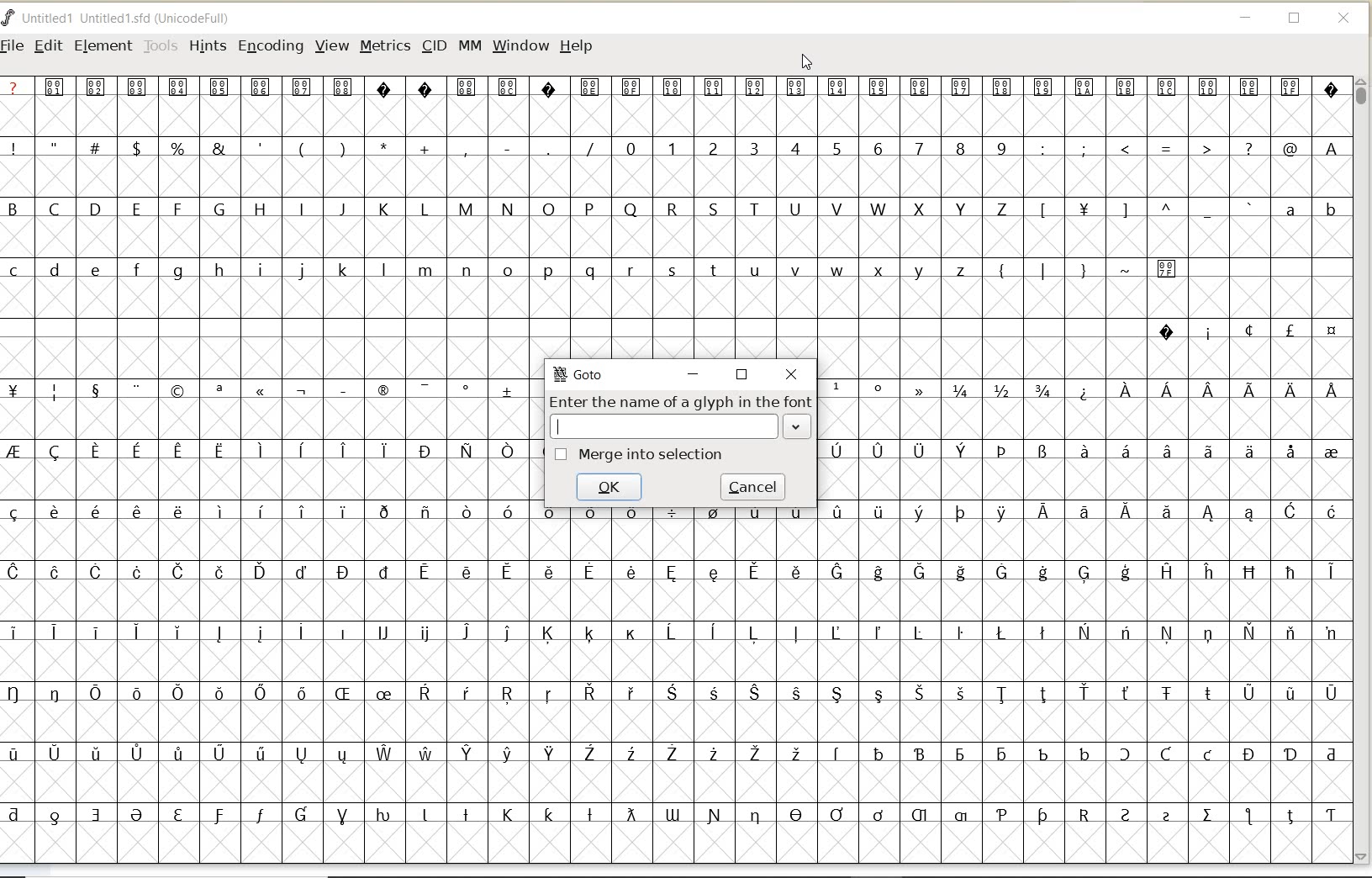  I want to click on ELEMENT, so click(103, 45).